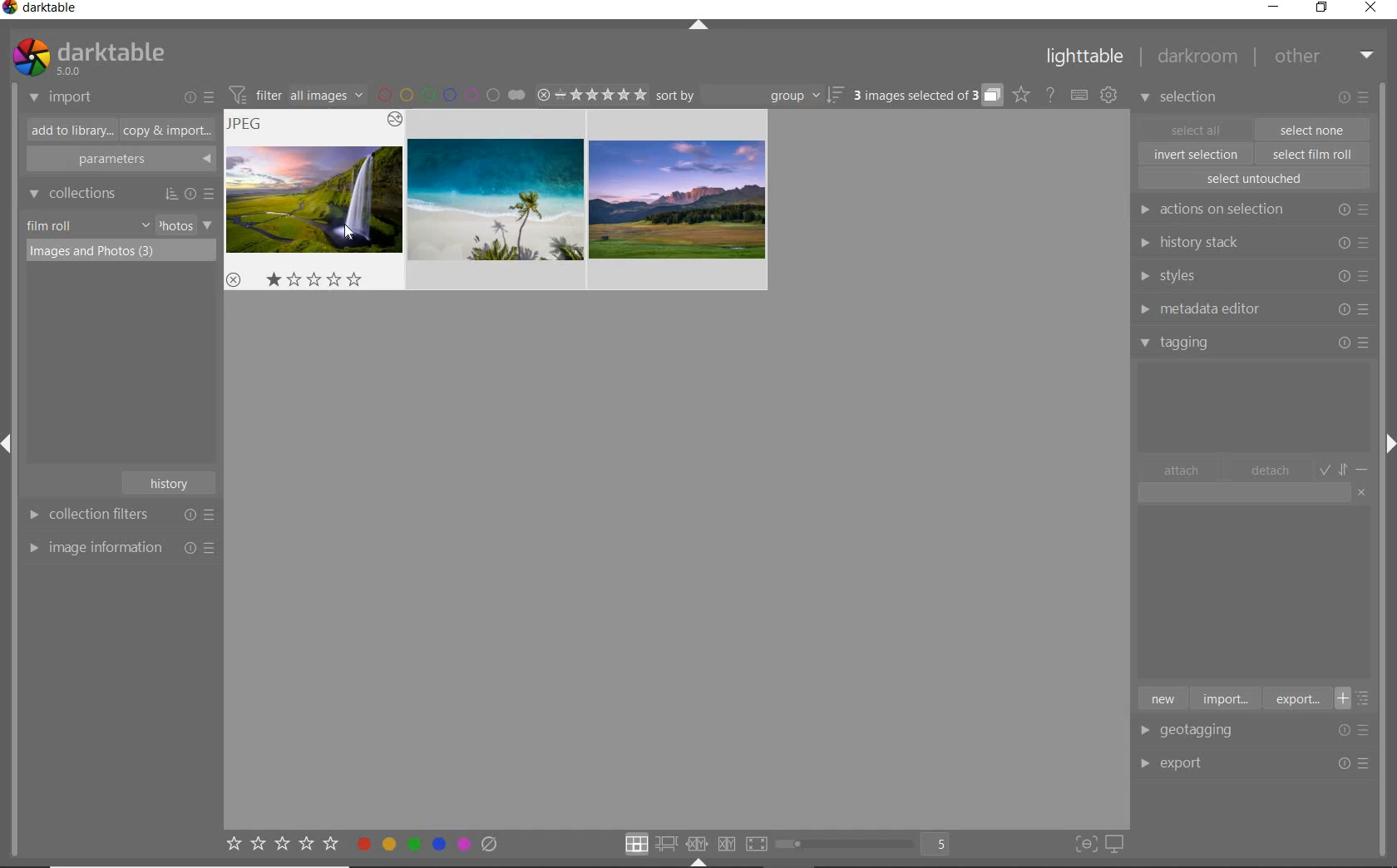  What do you see at coordinates (1162, 698) in the screenshot?
I see `new` at bounding box center [1162, 698].